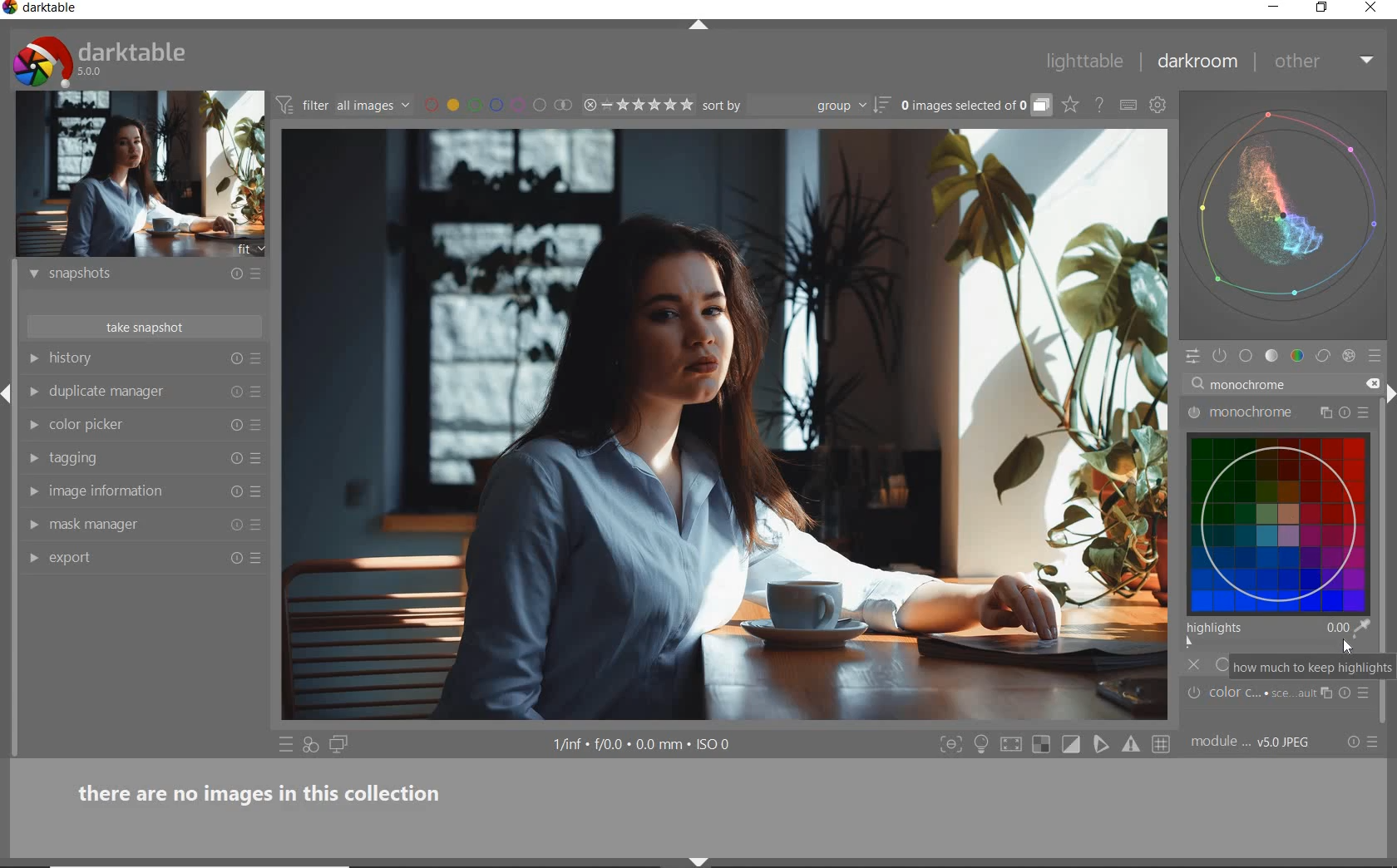  Describe the element at coordinates (699, 861) in the screenshot. I see `shift+ctrl+b` at that location.